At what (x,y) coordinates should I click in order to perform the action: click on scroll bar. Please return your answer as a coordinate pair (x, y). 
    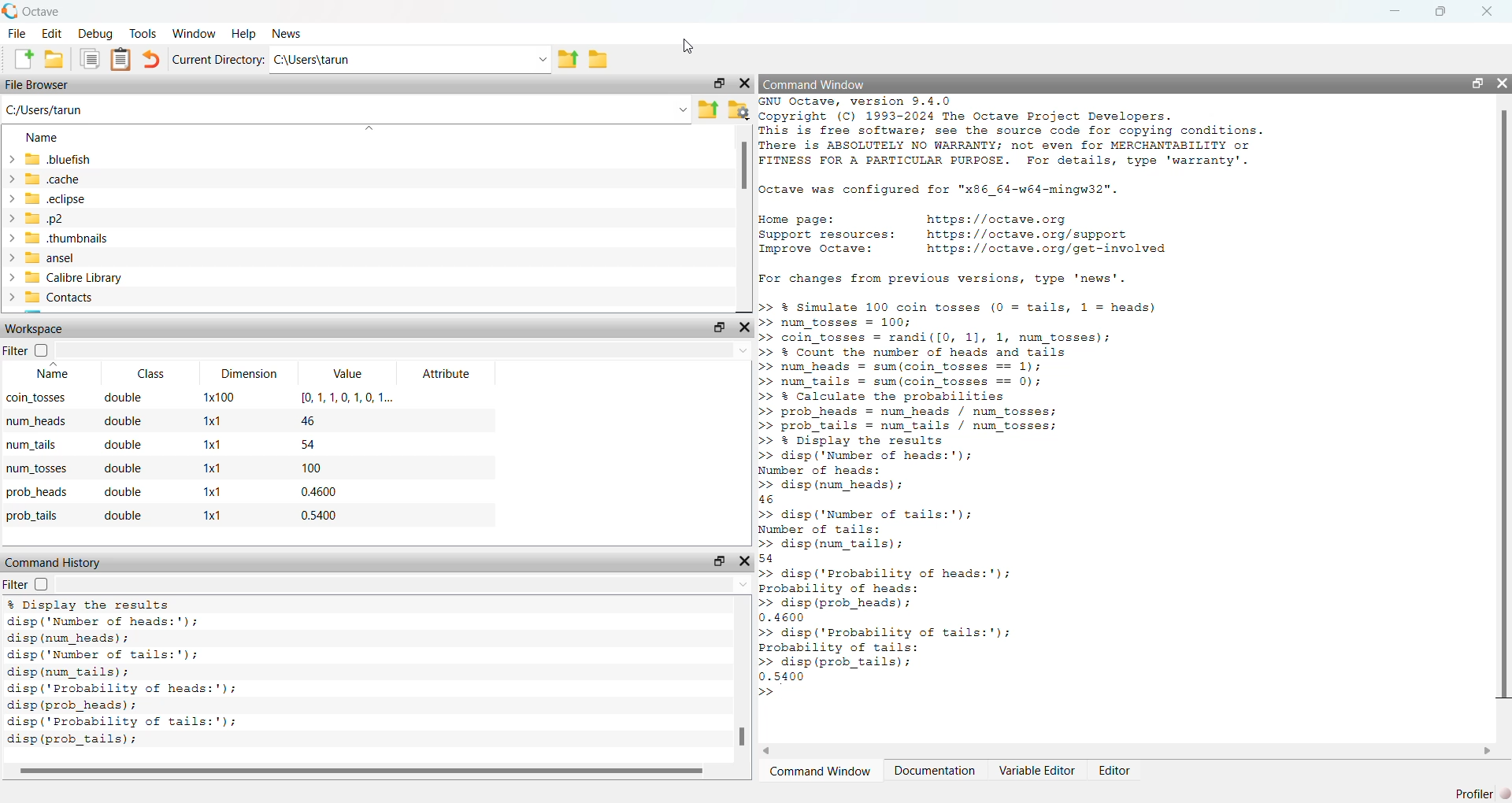
    Looking at the image, I should click on (361, 772).